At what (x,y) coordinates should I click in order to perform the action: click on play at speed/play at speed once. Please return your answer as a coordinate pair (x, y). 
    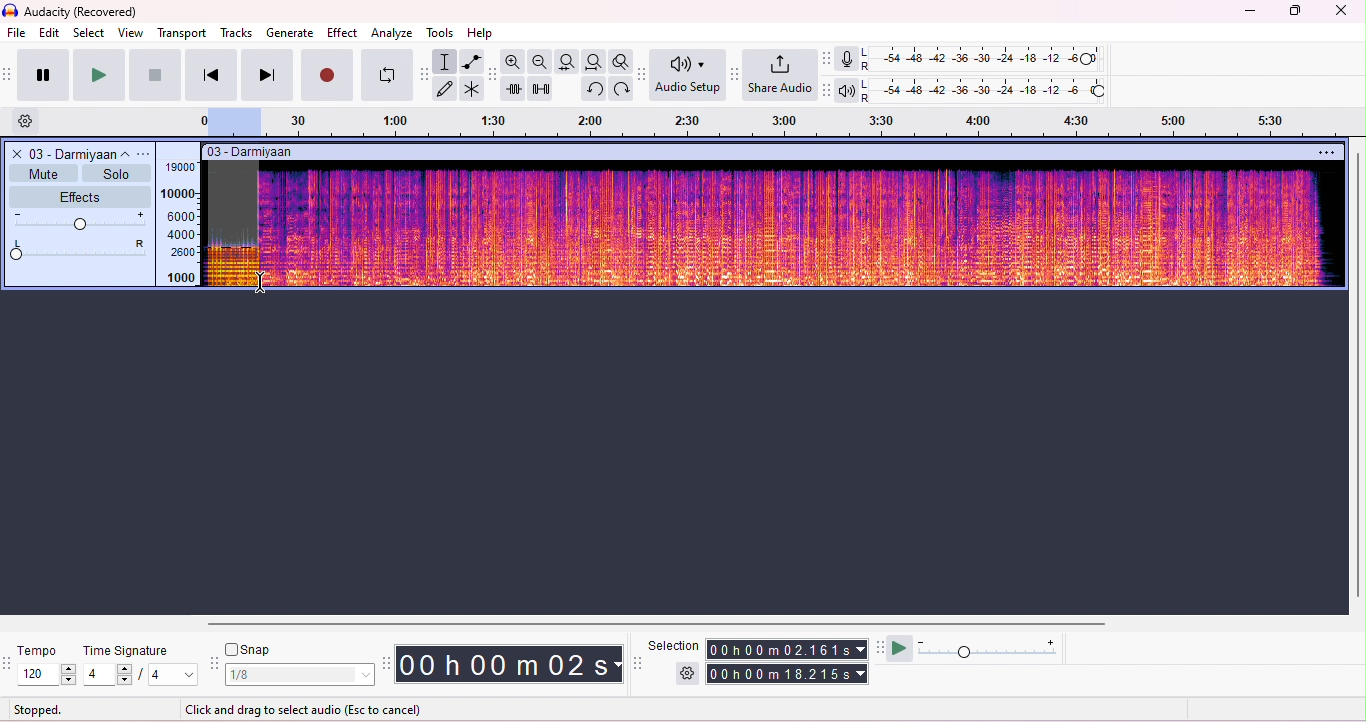
    Looking at the image, I should click on (899, 649).